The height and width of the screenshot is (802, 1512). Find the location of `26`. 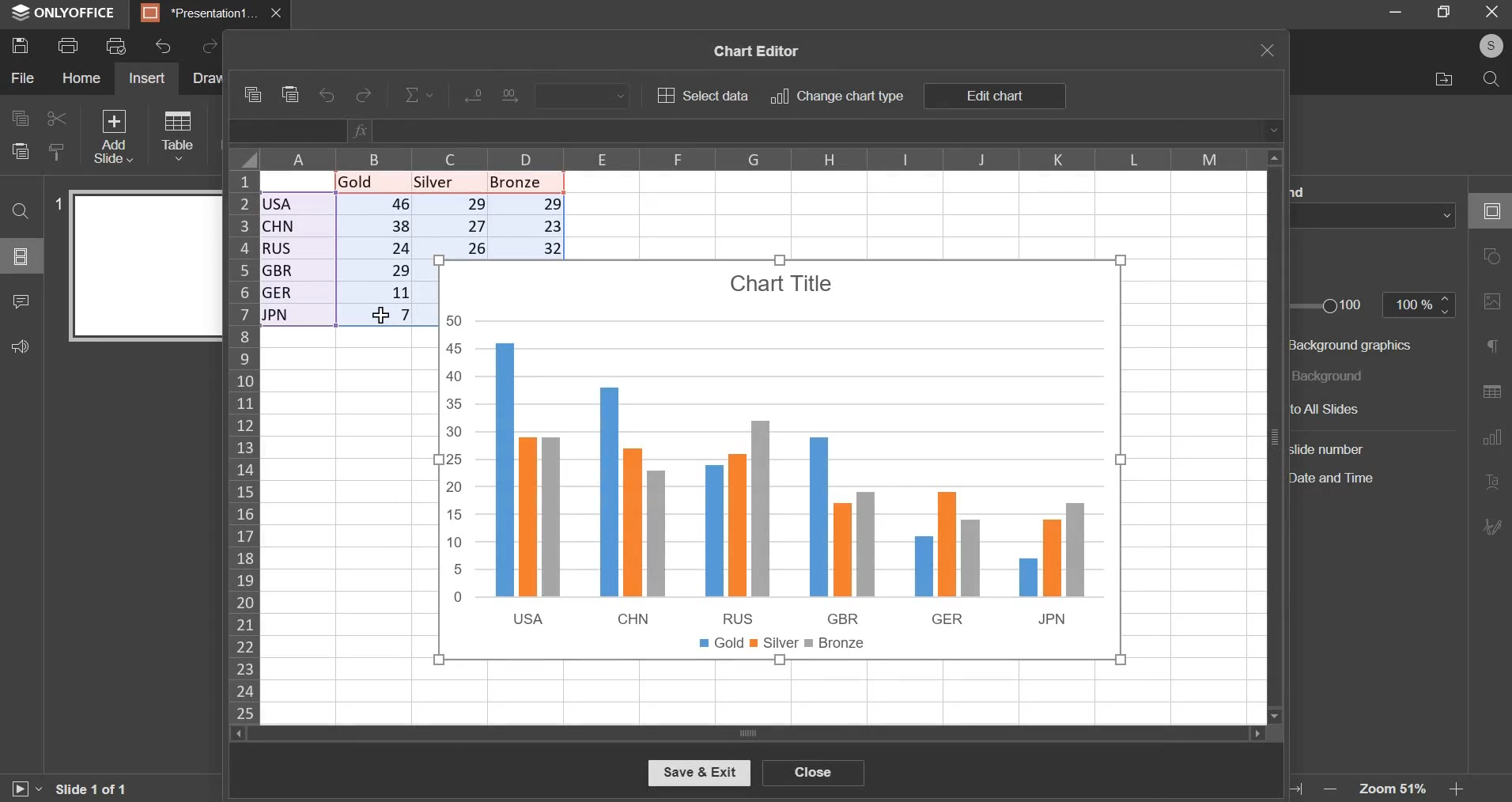

26 is located at coordinates (455, 248).